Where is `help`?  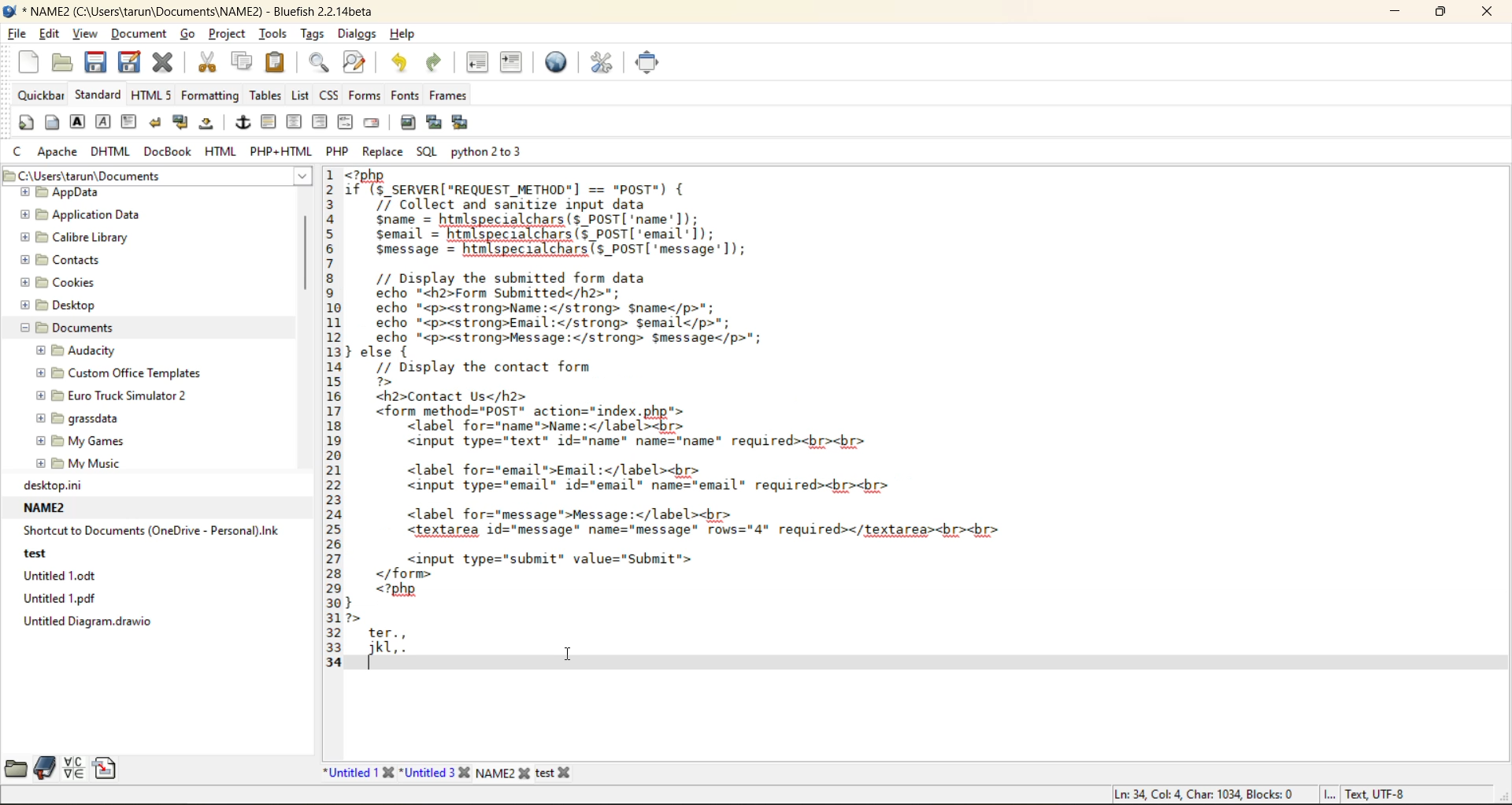 help is located at coordinates (400, 35).